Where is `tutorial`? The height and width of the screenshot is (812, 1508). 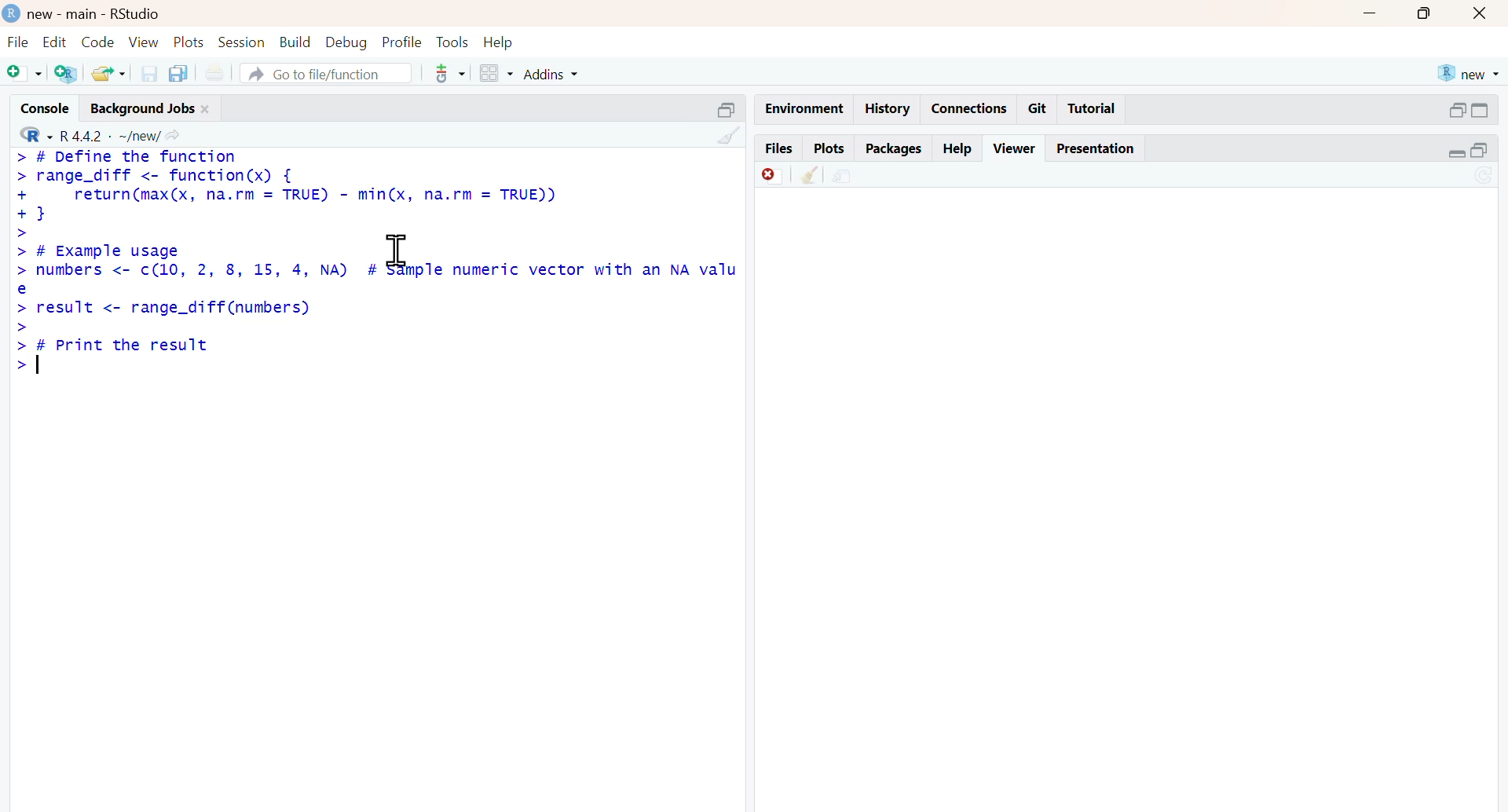
tutorial is located at coordinates (1093, 109).